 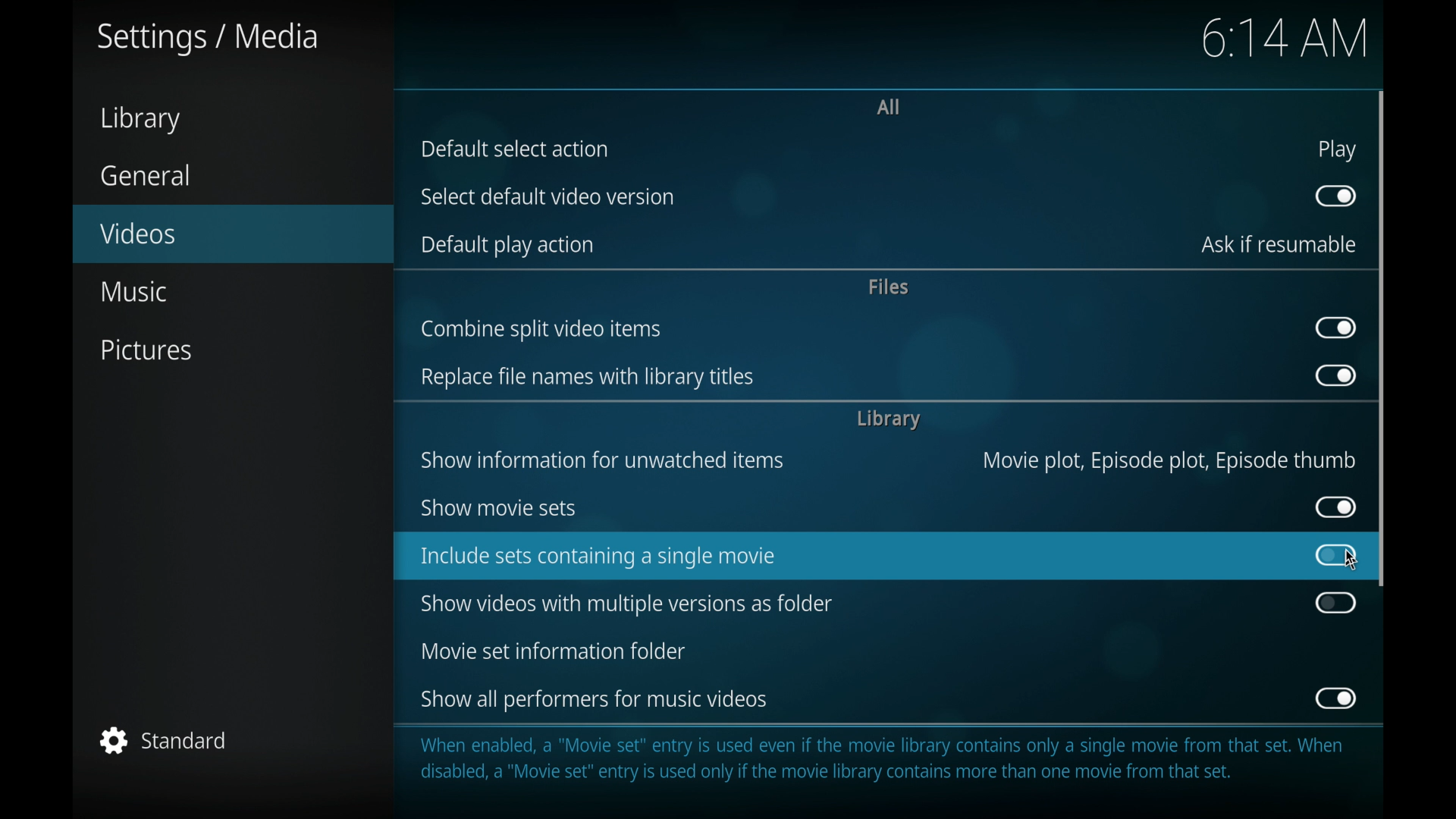 I want to click on music, so click(x=135, y=290).